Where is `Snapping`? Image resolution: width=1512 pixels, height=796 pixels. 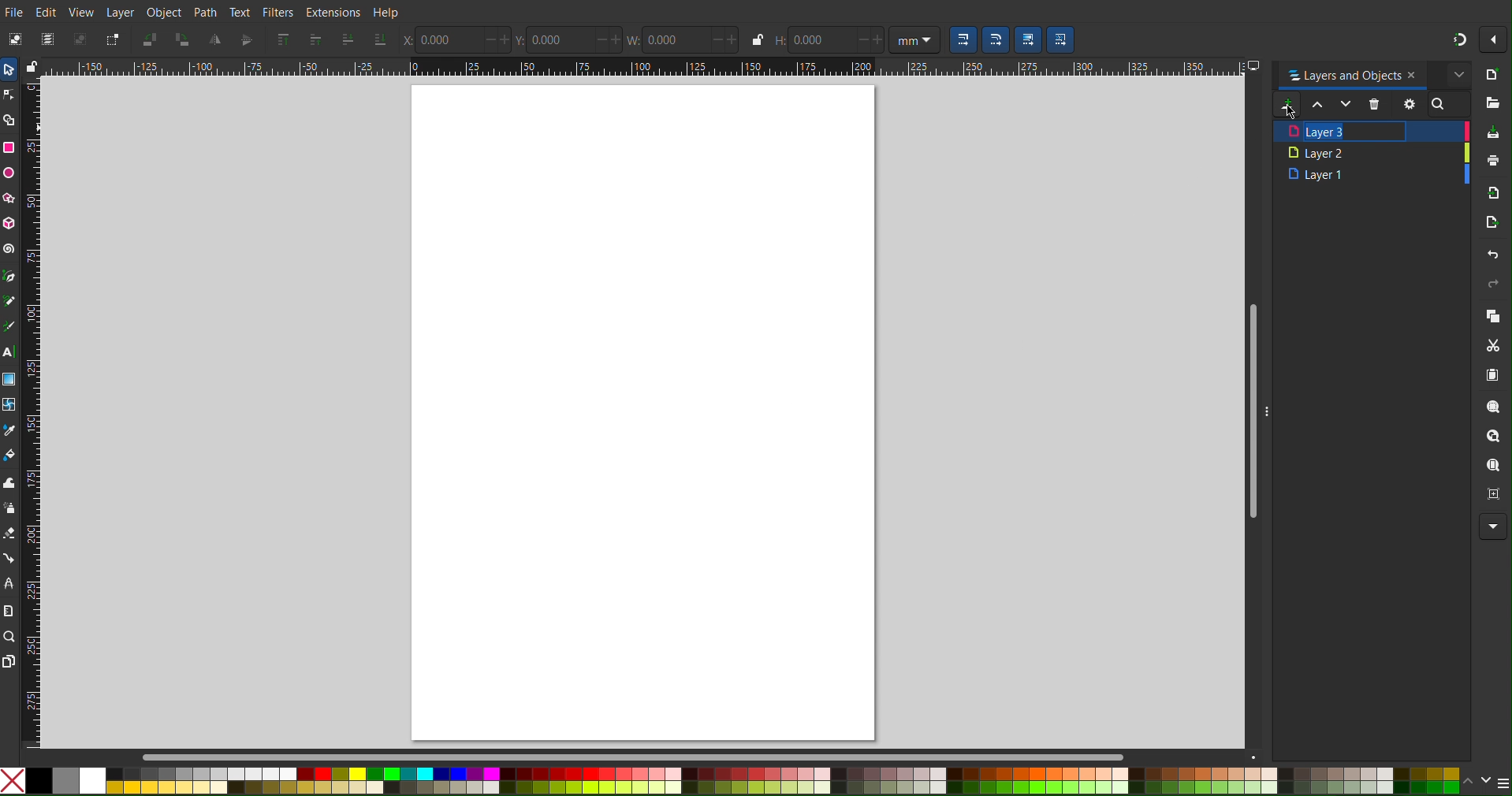 Snapping is located at coordinates (1458, 38).